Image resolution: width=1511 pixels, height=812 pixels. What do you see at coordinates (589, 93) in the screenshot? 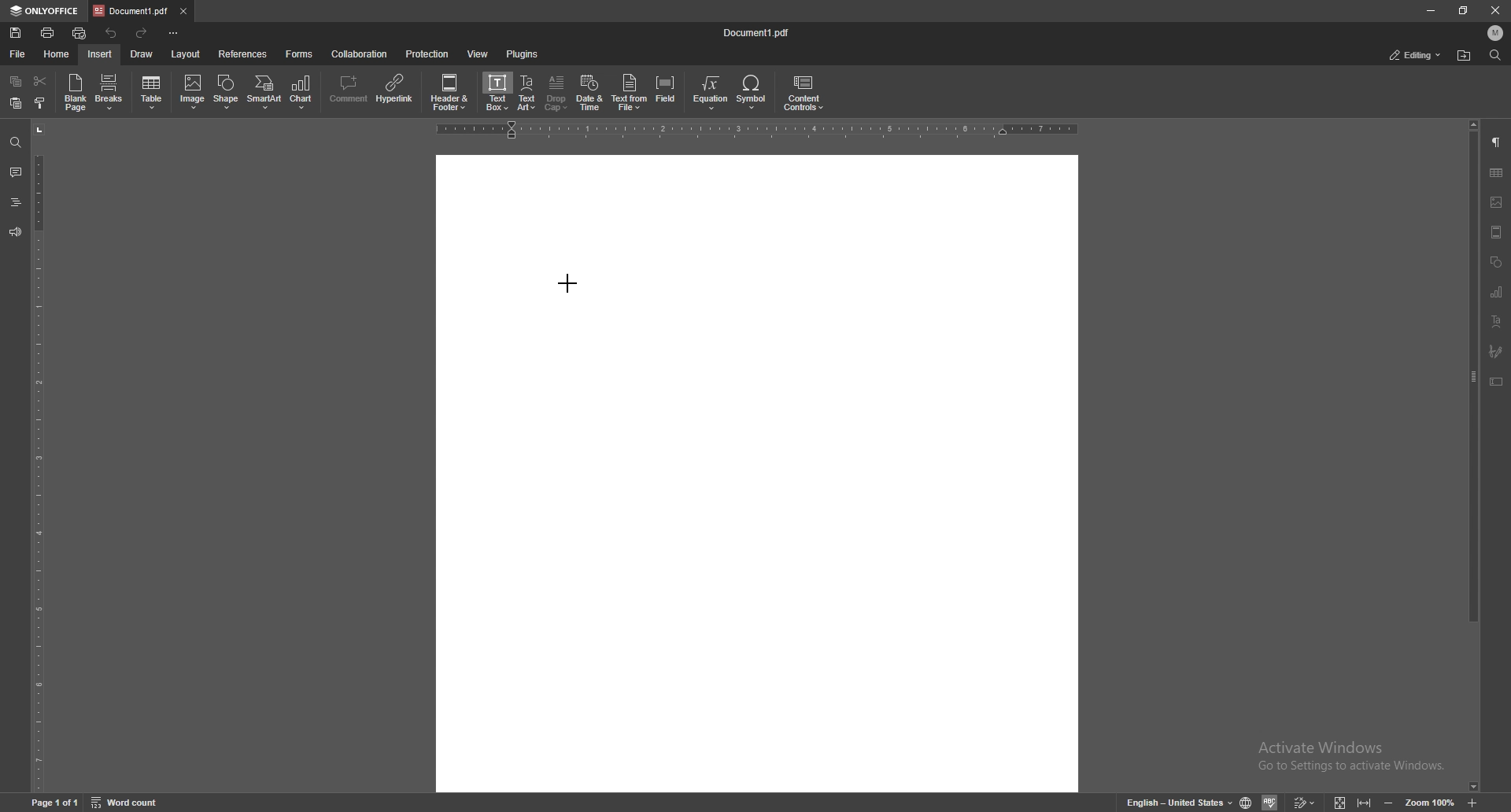
I see `date and time` at bounding box center [589, 93].